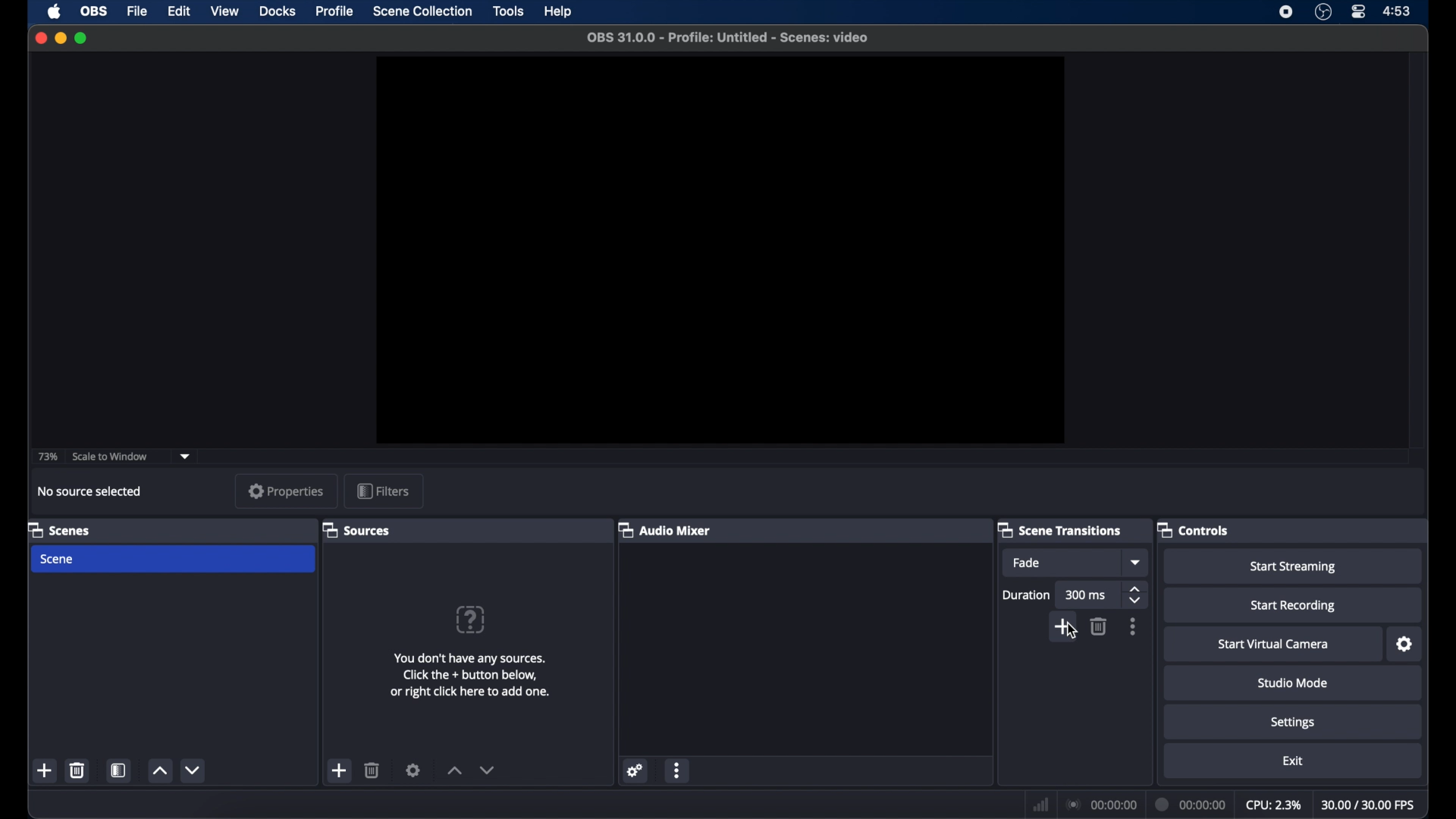  I want to click on start streaming, so click(1296, 567).